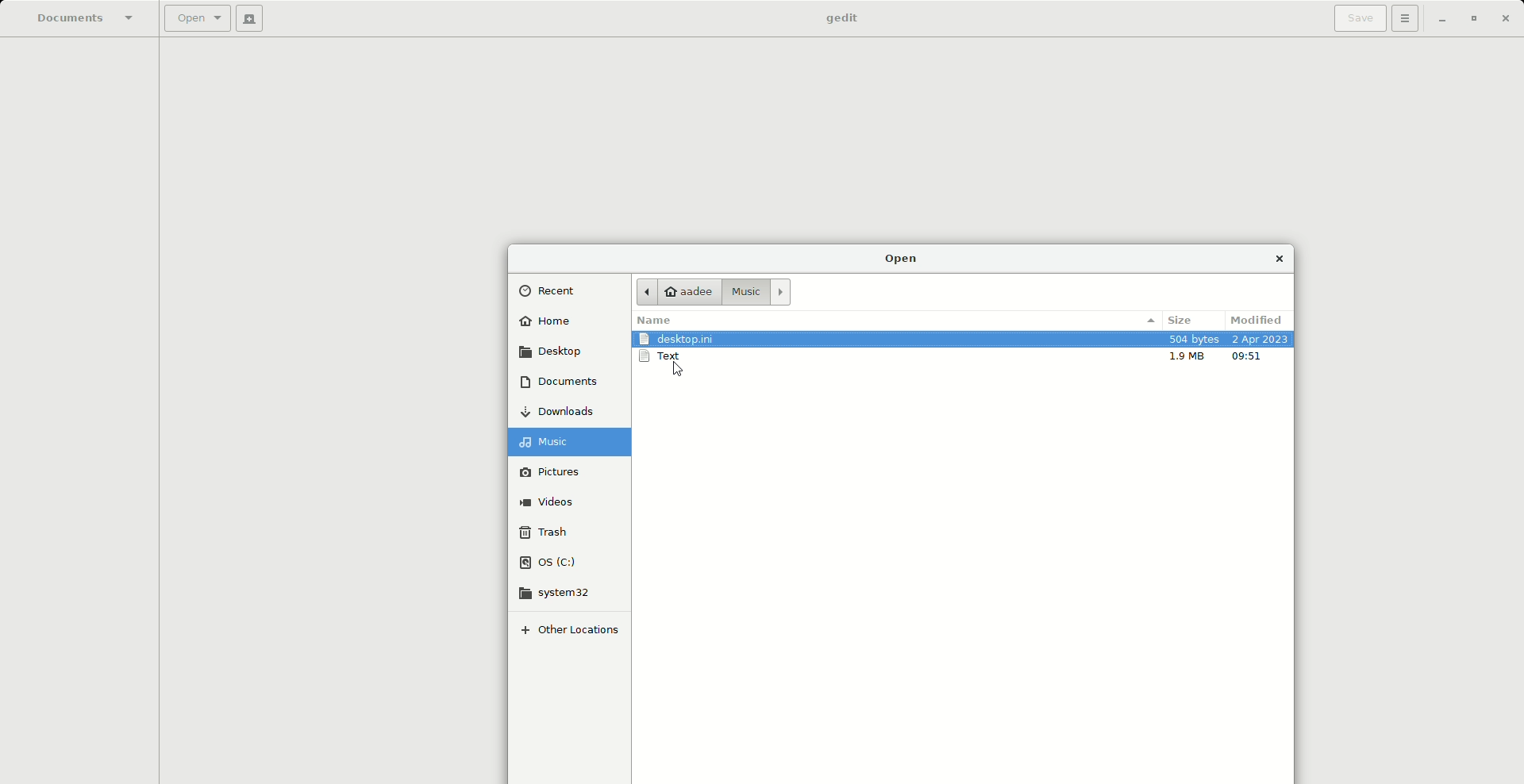 This screenshot has height=784, width=1524. Describe the element at coordinates (1188, 359) in the screenshot. I see `1.9 MB` at that location.